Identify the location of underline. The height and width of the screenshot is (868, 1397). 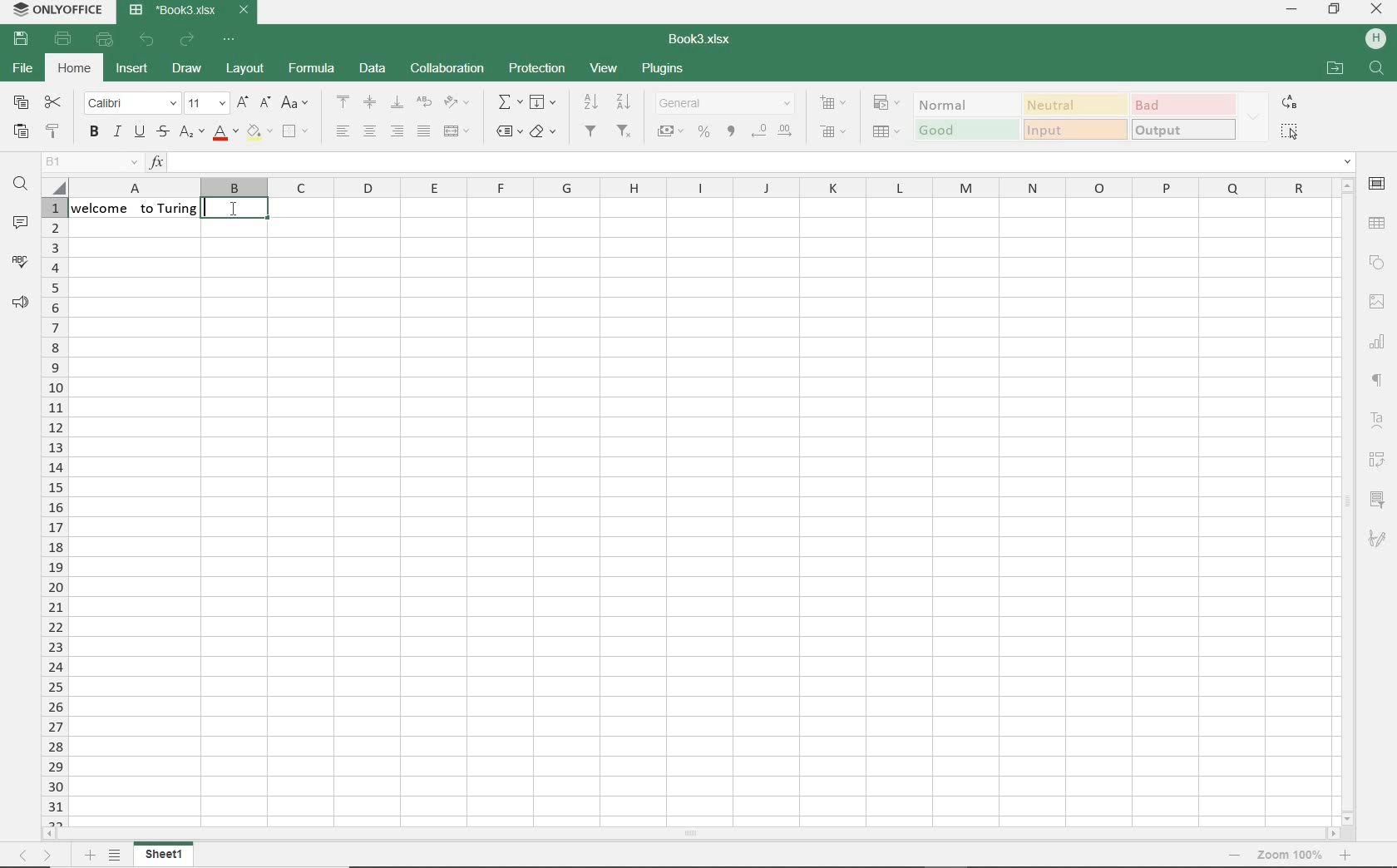
(141, 133).